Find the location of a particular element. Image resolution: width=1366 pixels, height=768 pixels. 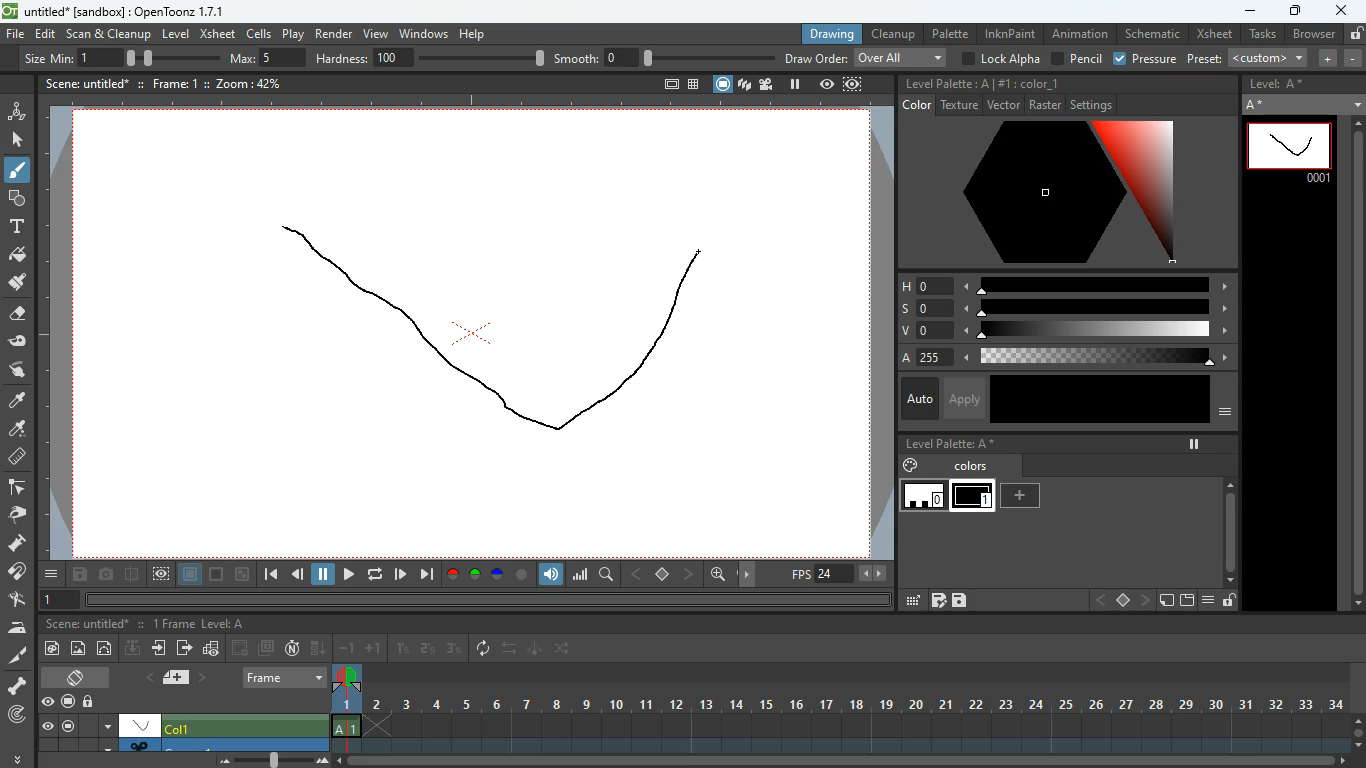

cleanup palette is located at coordinates (947, 84).